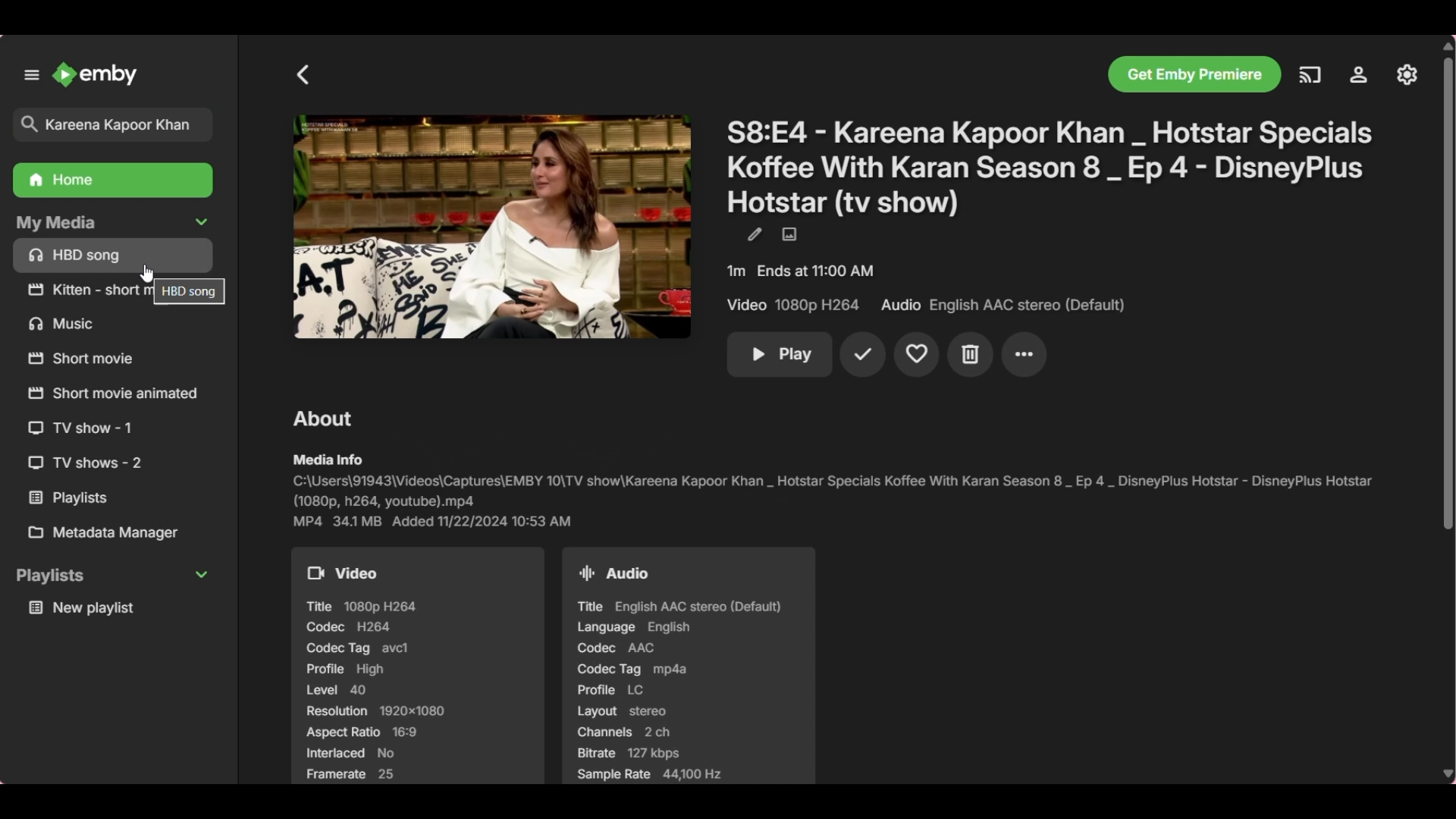 The height and width of the screenshot is (819, 1456). I want to click on Section sub-title, so click(328, 460).